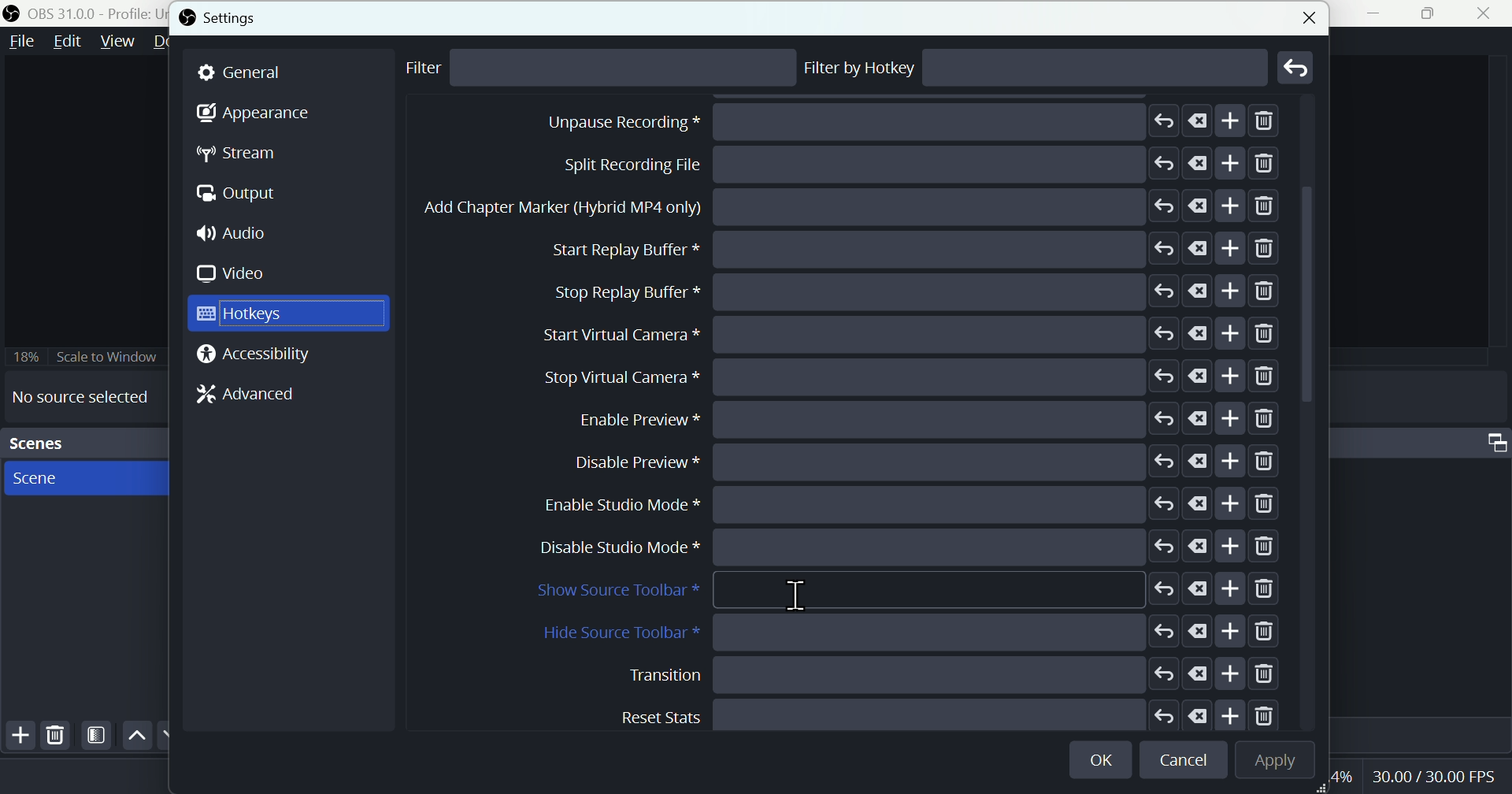 This screenshot has height=794, width=1512. Describe the element at coordinates (172, 43) in the screenshot. I see `Docks` at that location.